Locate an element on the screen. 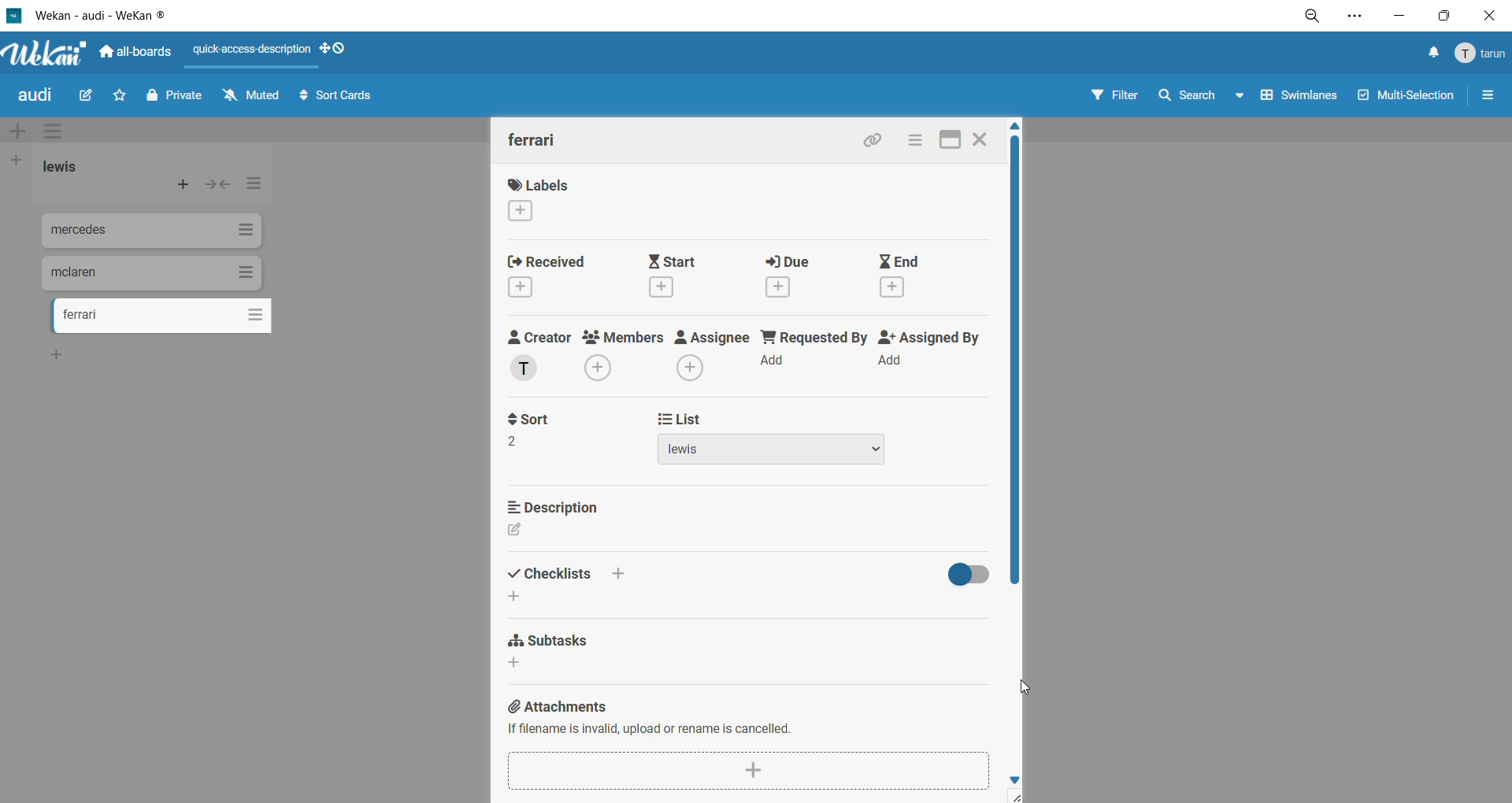  notifications is located at coordinates (1432, 54).